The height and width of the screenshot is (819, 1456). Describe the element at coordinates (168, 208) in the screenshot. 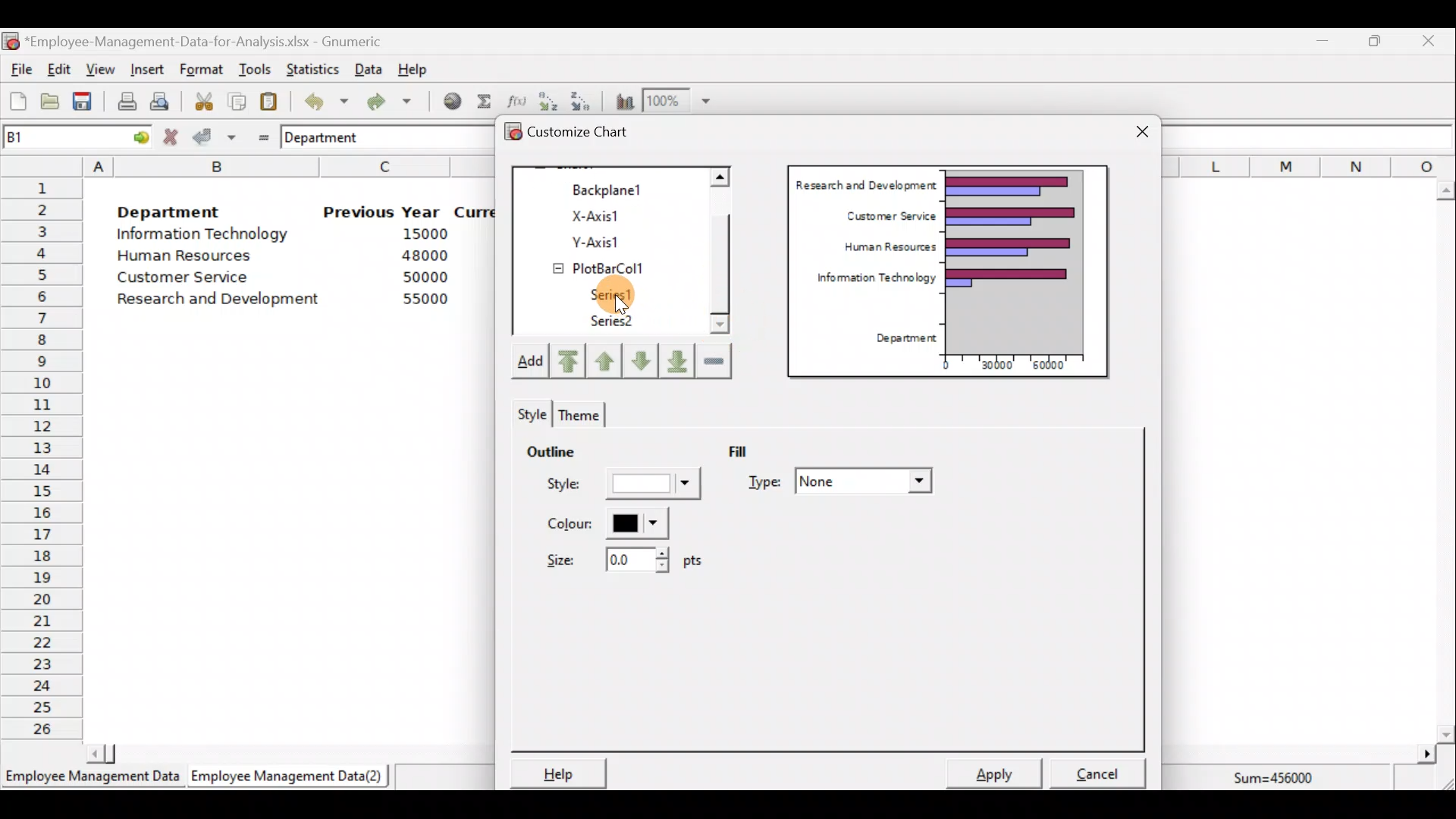

I see `Department` at that location.